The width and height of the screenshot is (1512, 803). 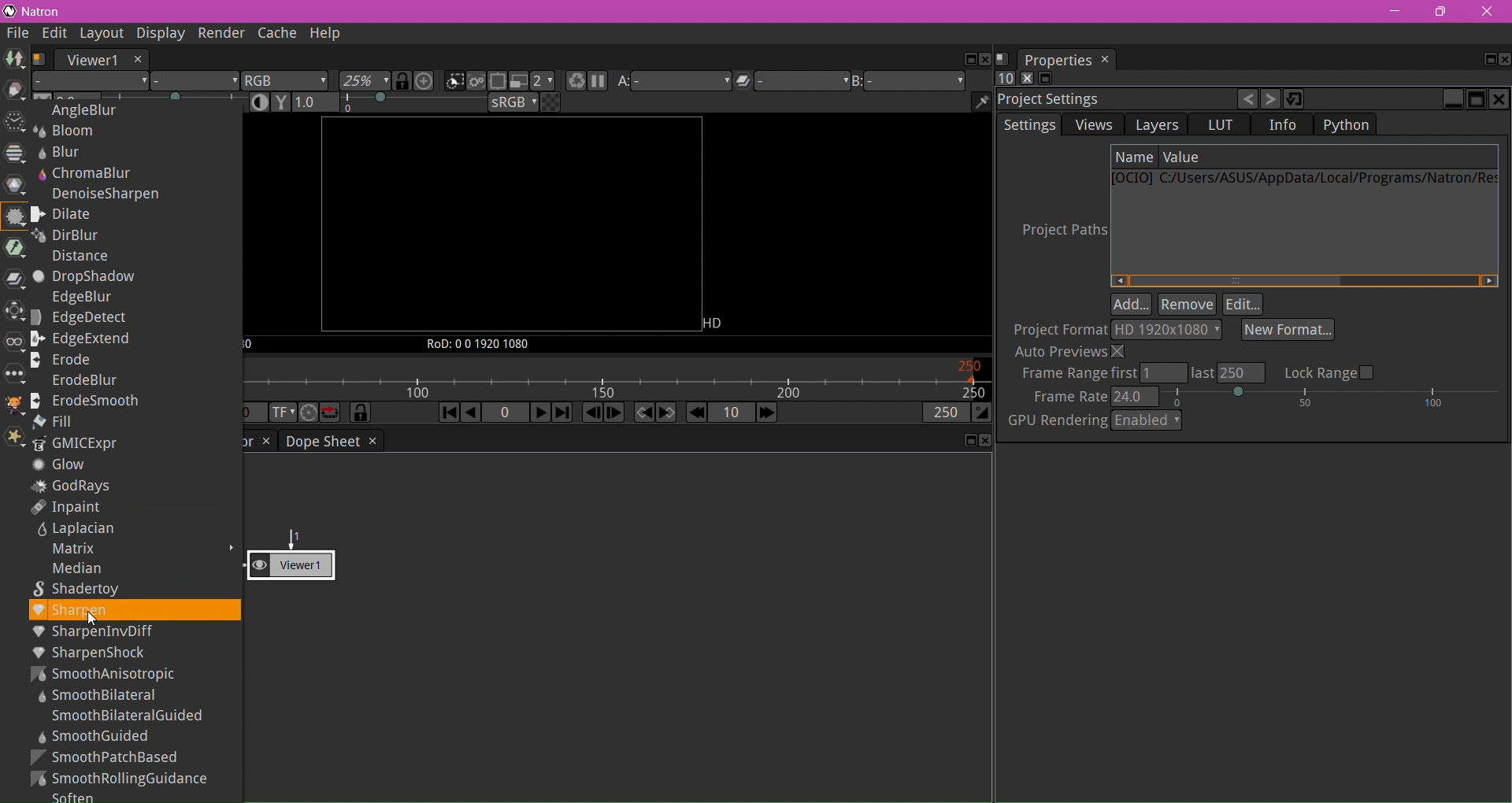 What do you see at coordinates (1140, 373) in the screenshot?
I see `Set the Frame Range first and last` at bounding box center [1140, 373].